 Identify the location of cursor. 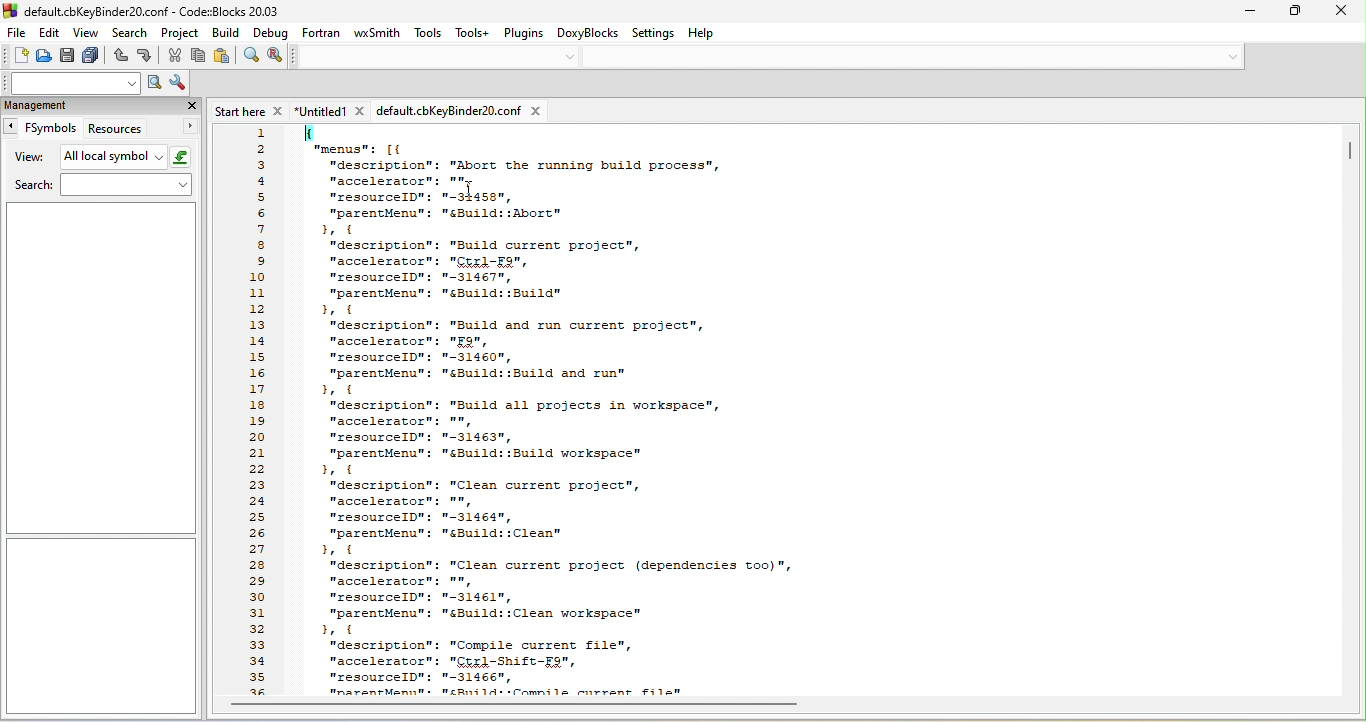
(467, 188).